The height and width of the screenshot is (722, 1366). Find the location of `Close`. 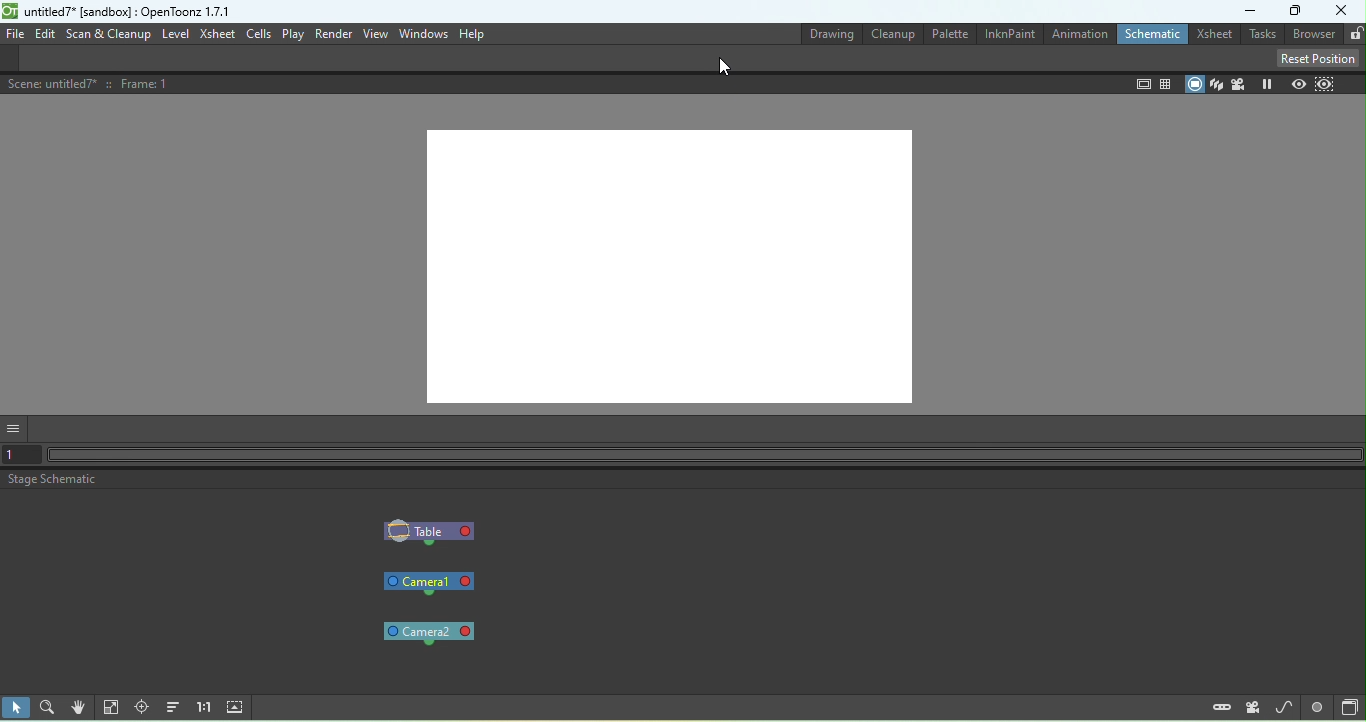

Close is located at coordinates (1343, 13).